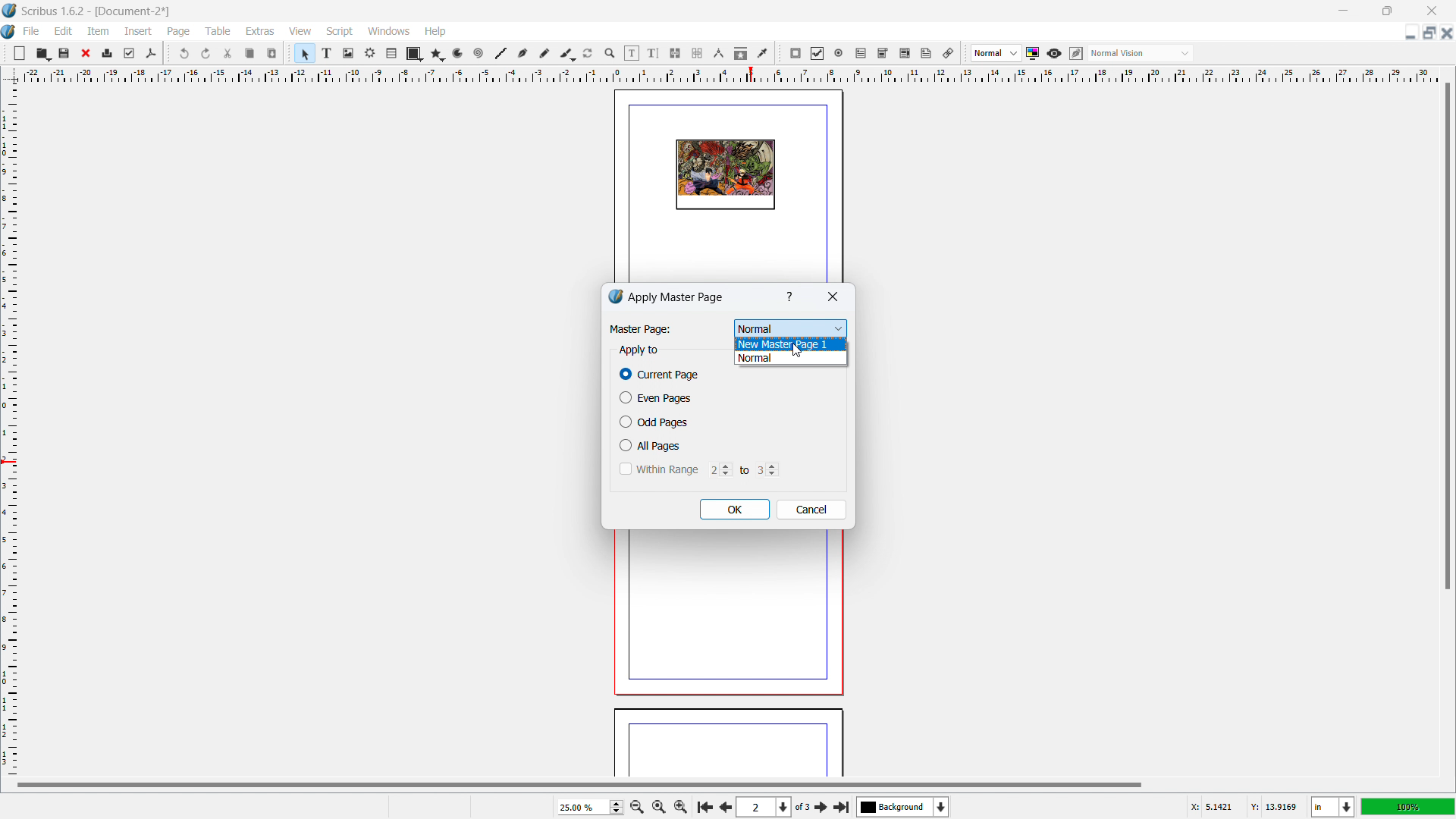 The width and height of the screenshot is (1456, 819). Describe the element at coordinates (791, 359) in the screenshot. I see `normal` at that location.